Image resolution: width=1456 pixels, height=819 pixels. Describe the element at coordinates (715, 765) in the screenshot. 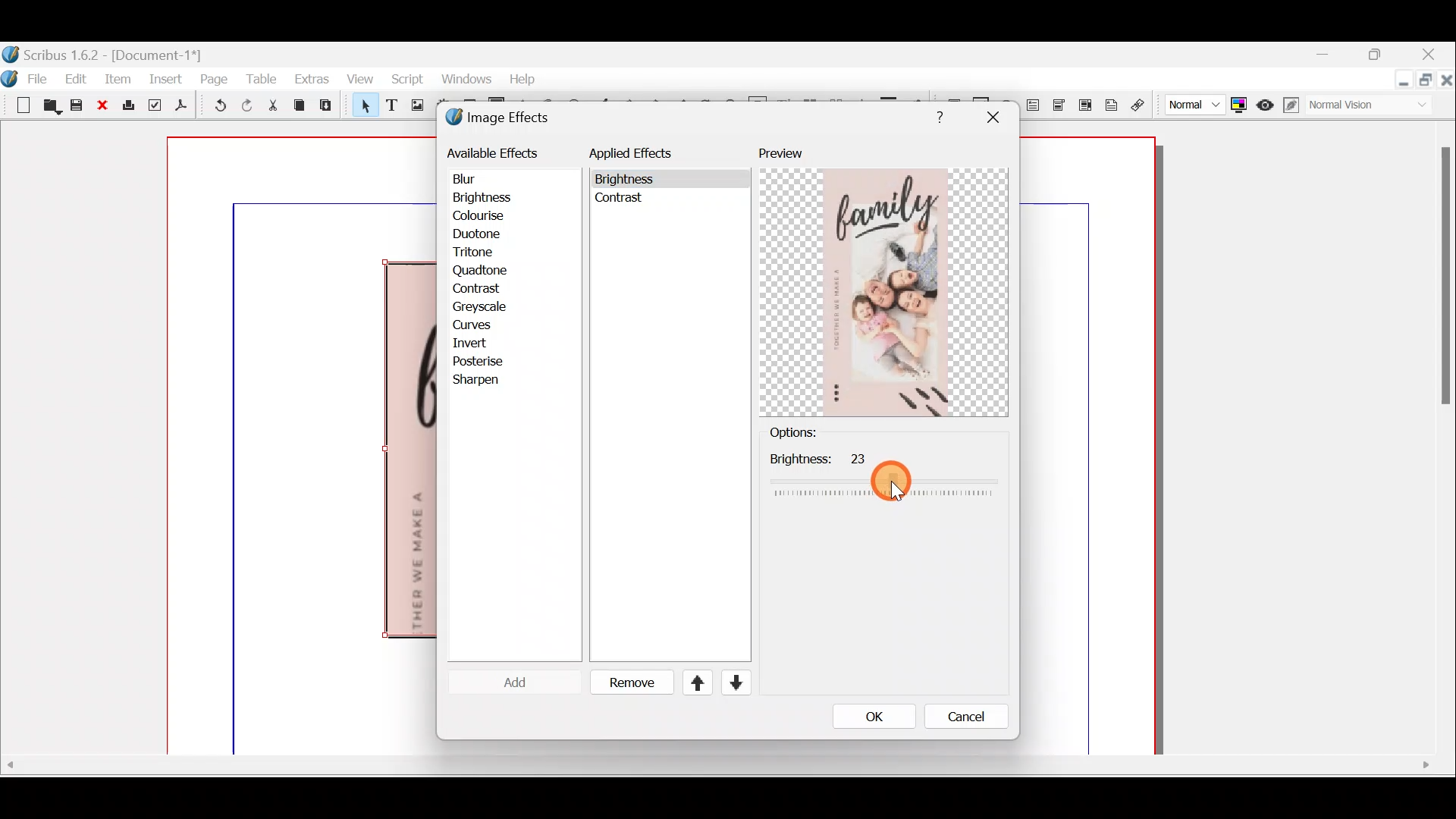

I see `` at that location.